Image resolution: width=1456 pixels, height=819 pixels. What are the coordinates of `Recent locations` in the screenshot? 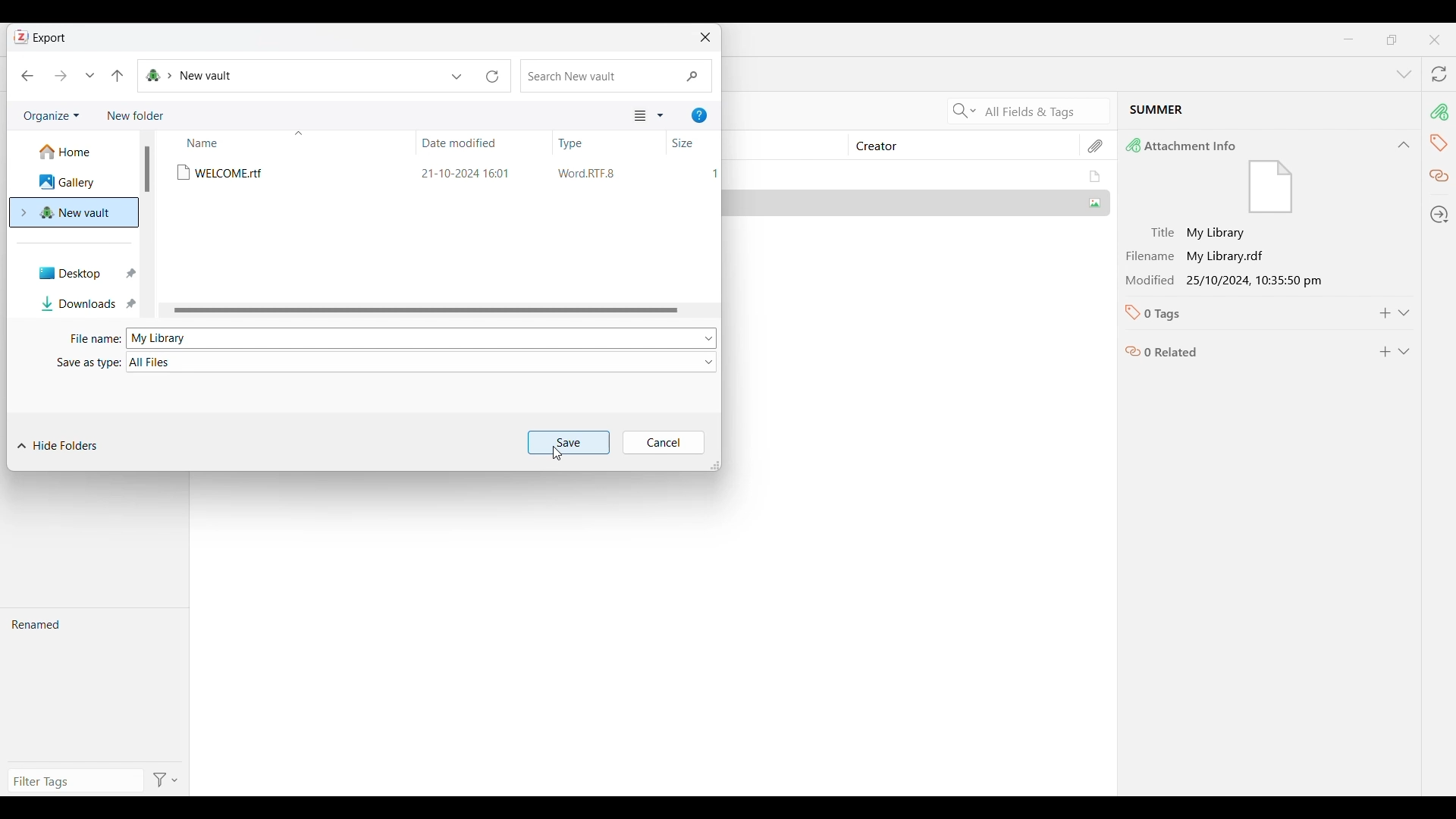 It's located at (90, 76).